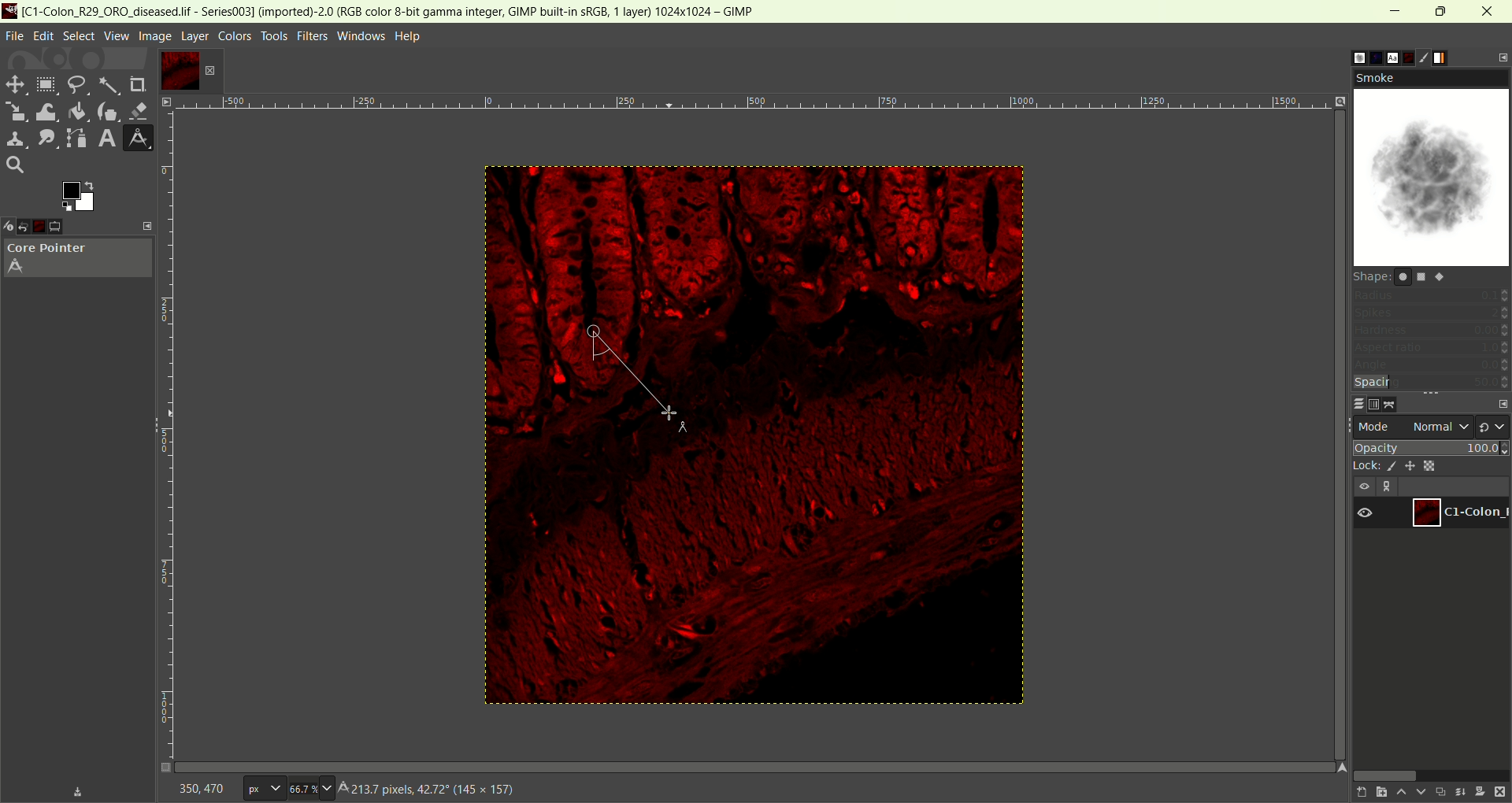 The height and width of the screenshot is (803, 1512). What do you see at coordinates (76, 86) in the screenshot?
I see `free select tool` at bounding box center [76, 86].